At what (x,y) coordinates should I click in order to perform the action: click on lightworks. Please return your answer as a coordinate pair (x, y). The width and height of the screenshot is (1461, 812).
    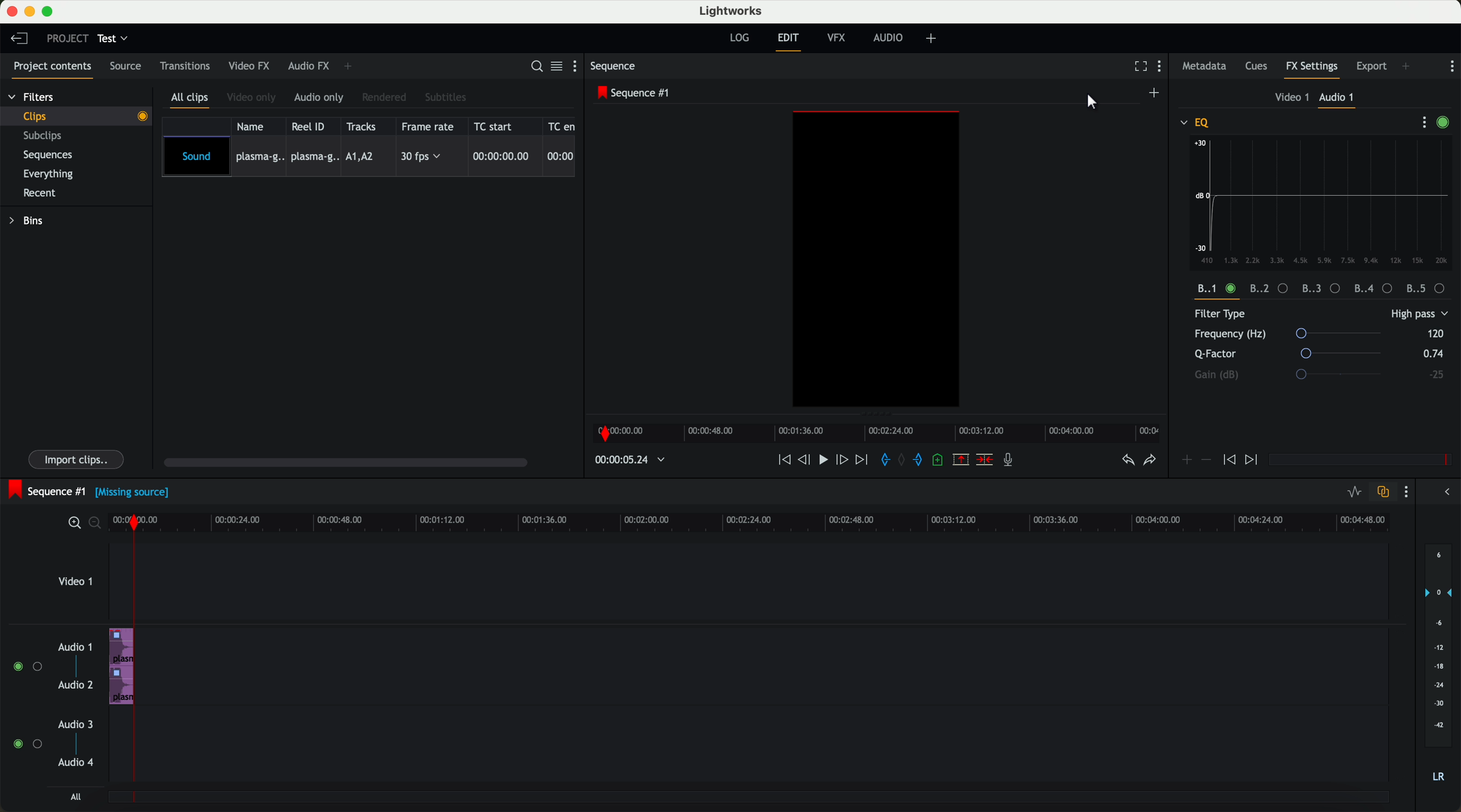
    Looking at the image, I should click on (733, 11).